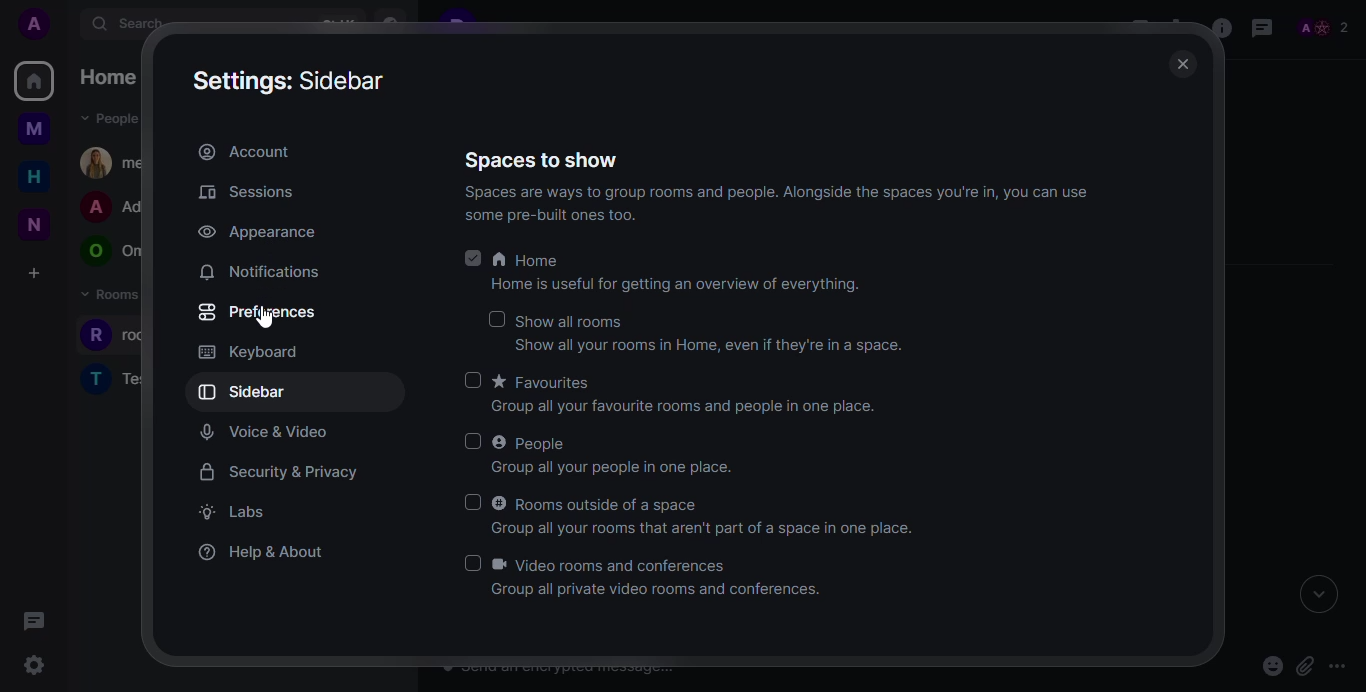 The height and width of the screenshot is (692, 1366). I want to click on people, so click(530, 442).